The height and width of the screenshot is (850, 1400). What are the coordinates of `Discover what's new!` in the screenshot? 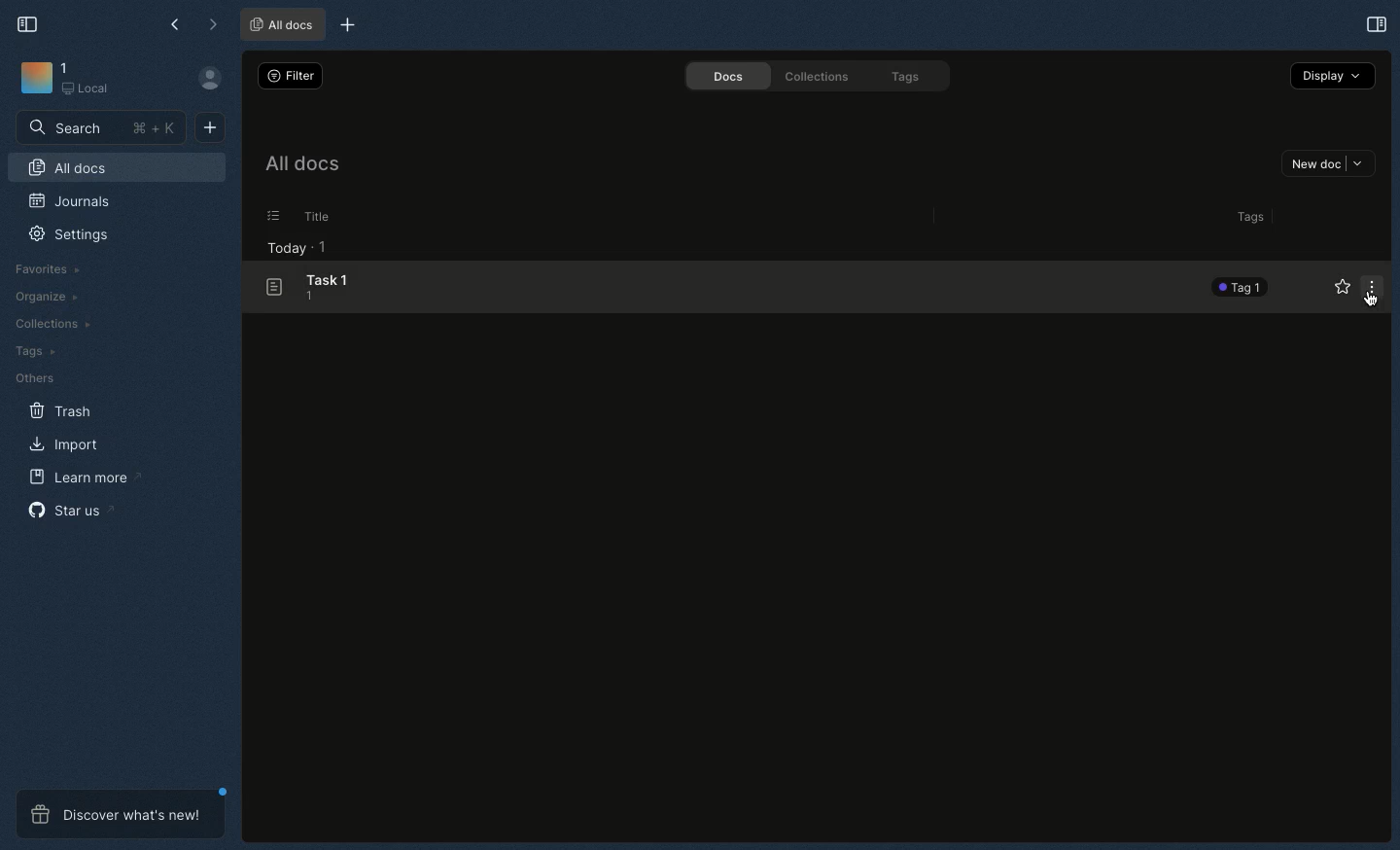 It's located at (118, 812).